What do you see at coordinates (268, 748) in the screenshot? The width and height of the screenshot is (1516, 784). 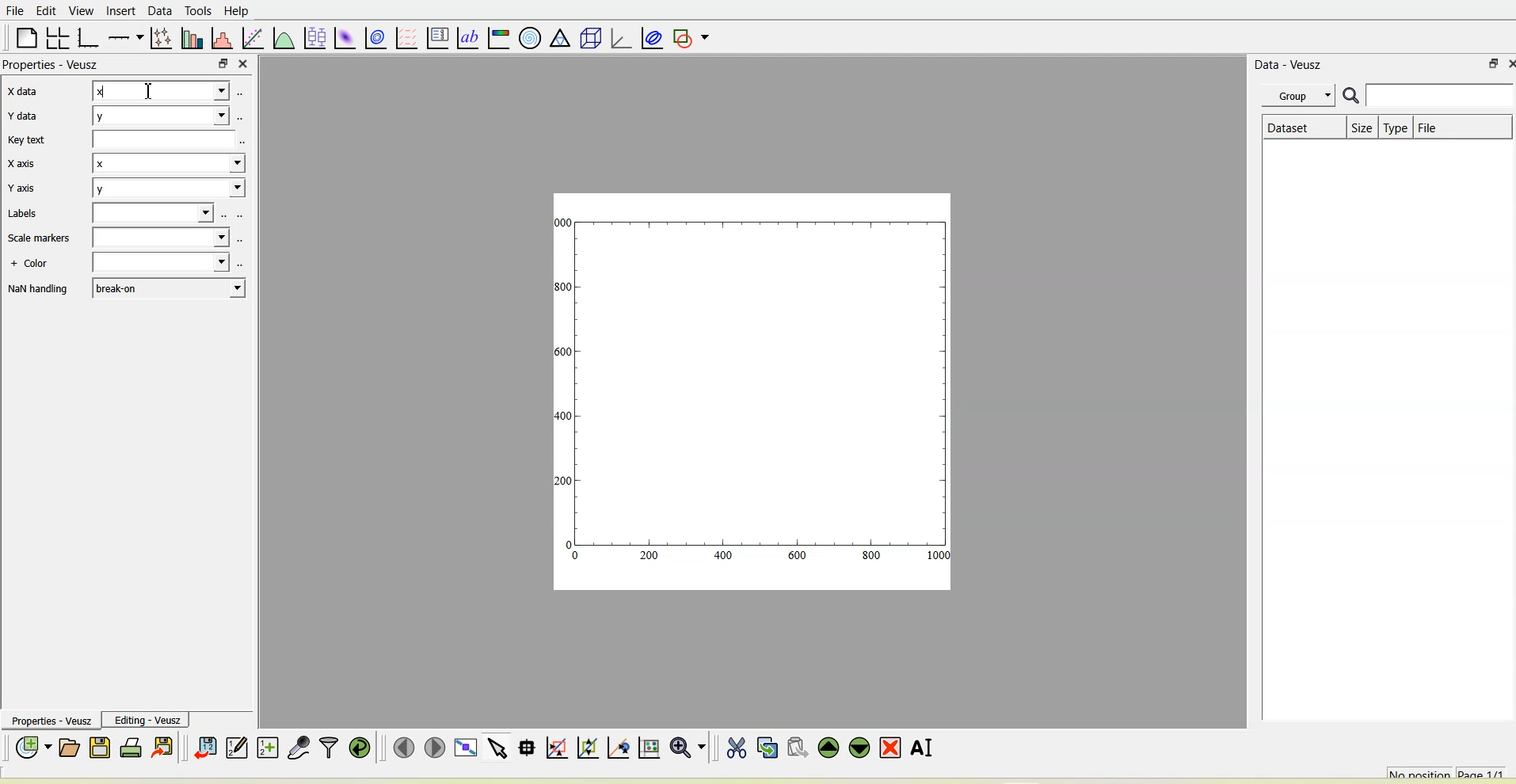 I see `Create new datasets using ranges, parametrically or as functions of existing datasets` at bounding box center [268, 748].